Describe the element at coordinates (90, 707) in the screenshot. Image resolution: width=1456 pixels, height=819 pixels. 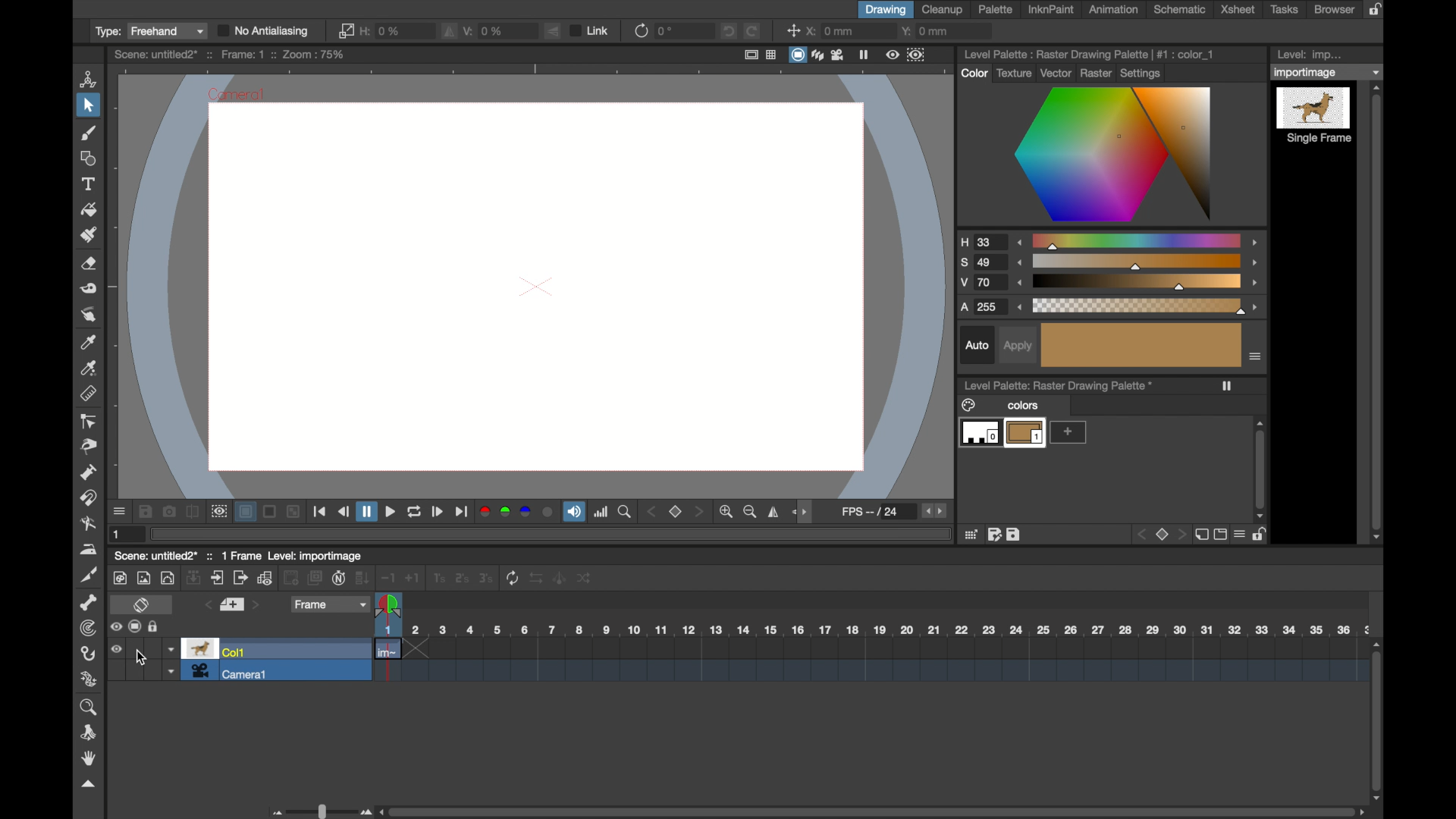
I see `zoom` at that location.